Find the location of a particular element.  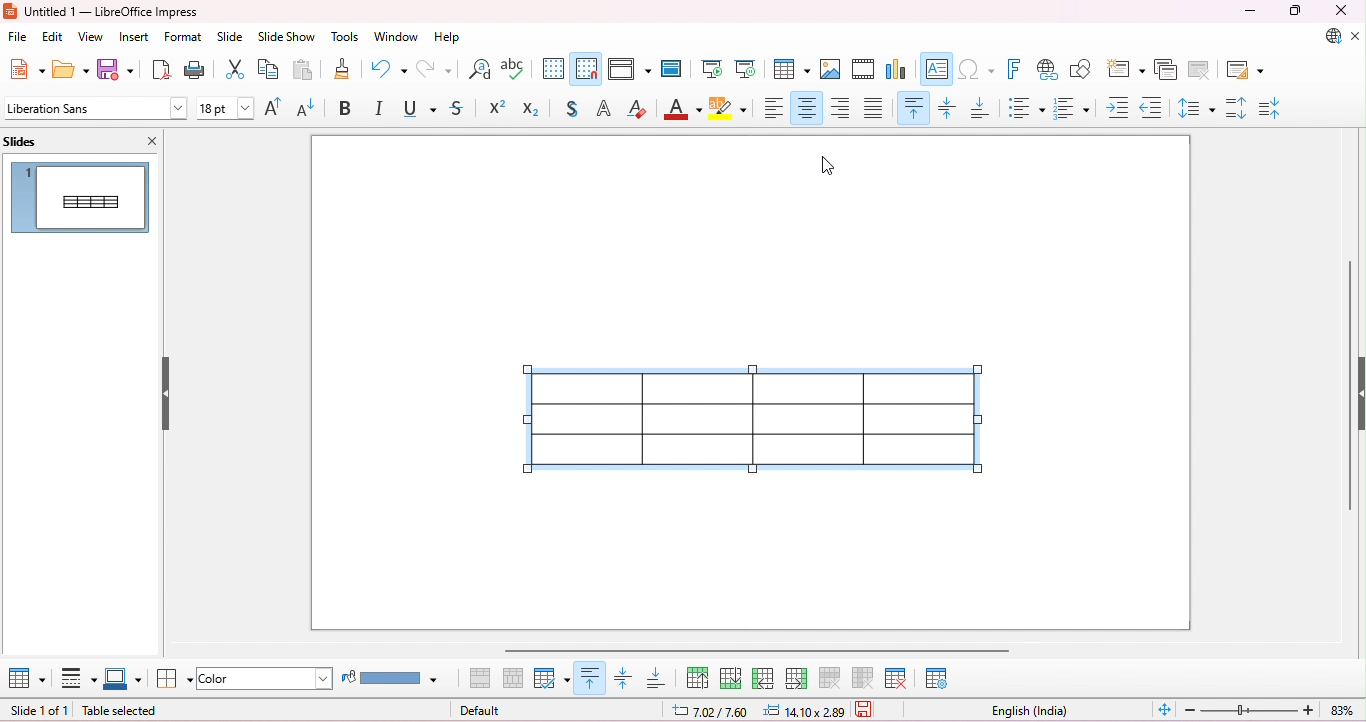

hide/show is located at coordinates (166, 394).